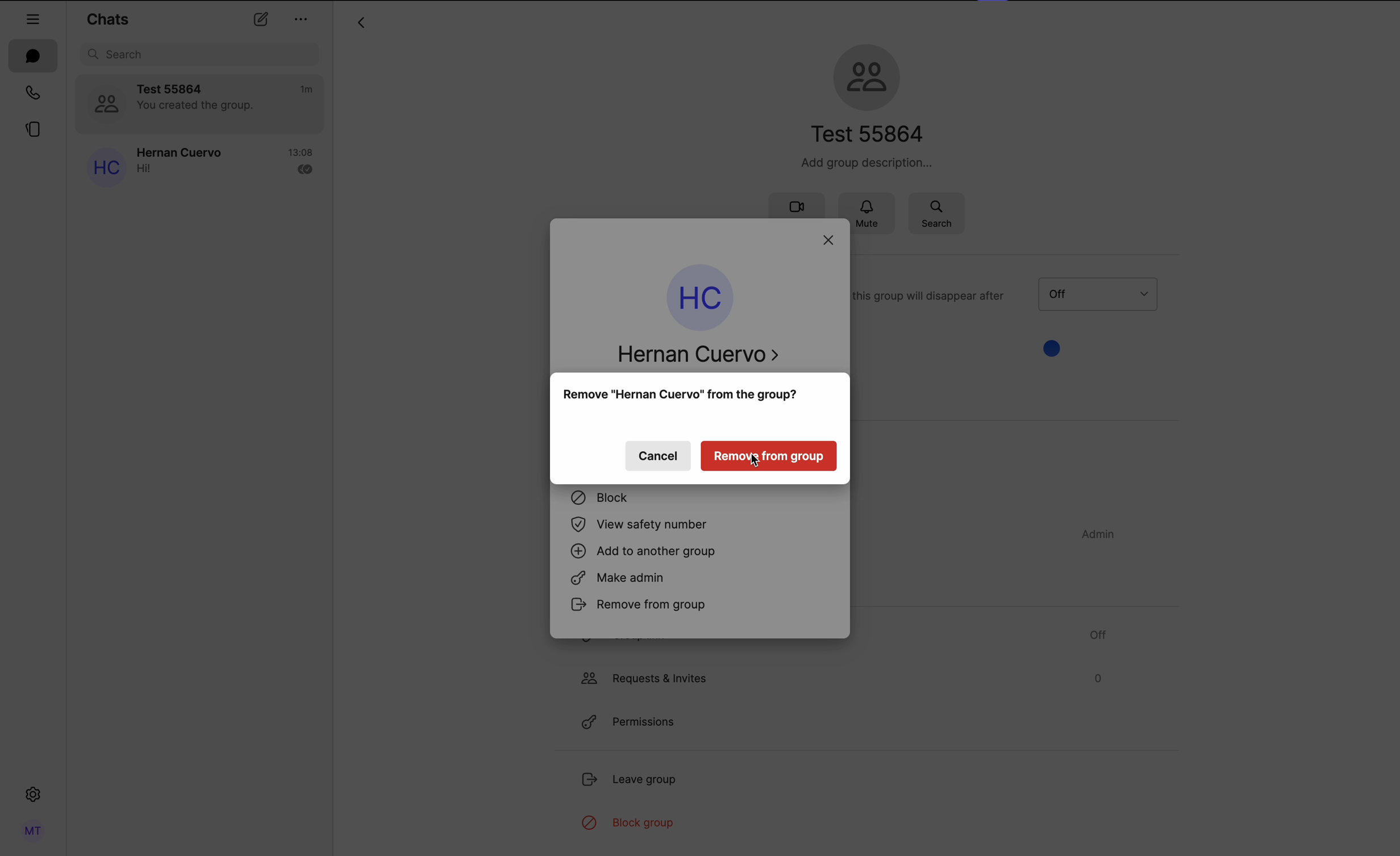 Image resolution: width=1400 pixels, height=856 pixels. What do you see at coordinates (690, 318) in the screenshot?
I see `profile contact` at bounding box center [690, 318].